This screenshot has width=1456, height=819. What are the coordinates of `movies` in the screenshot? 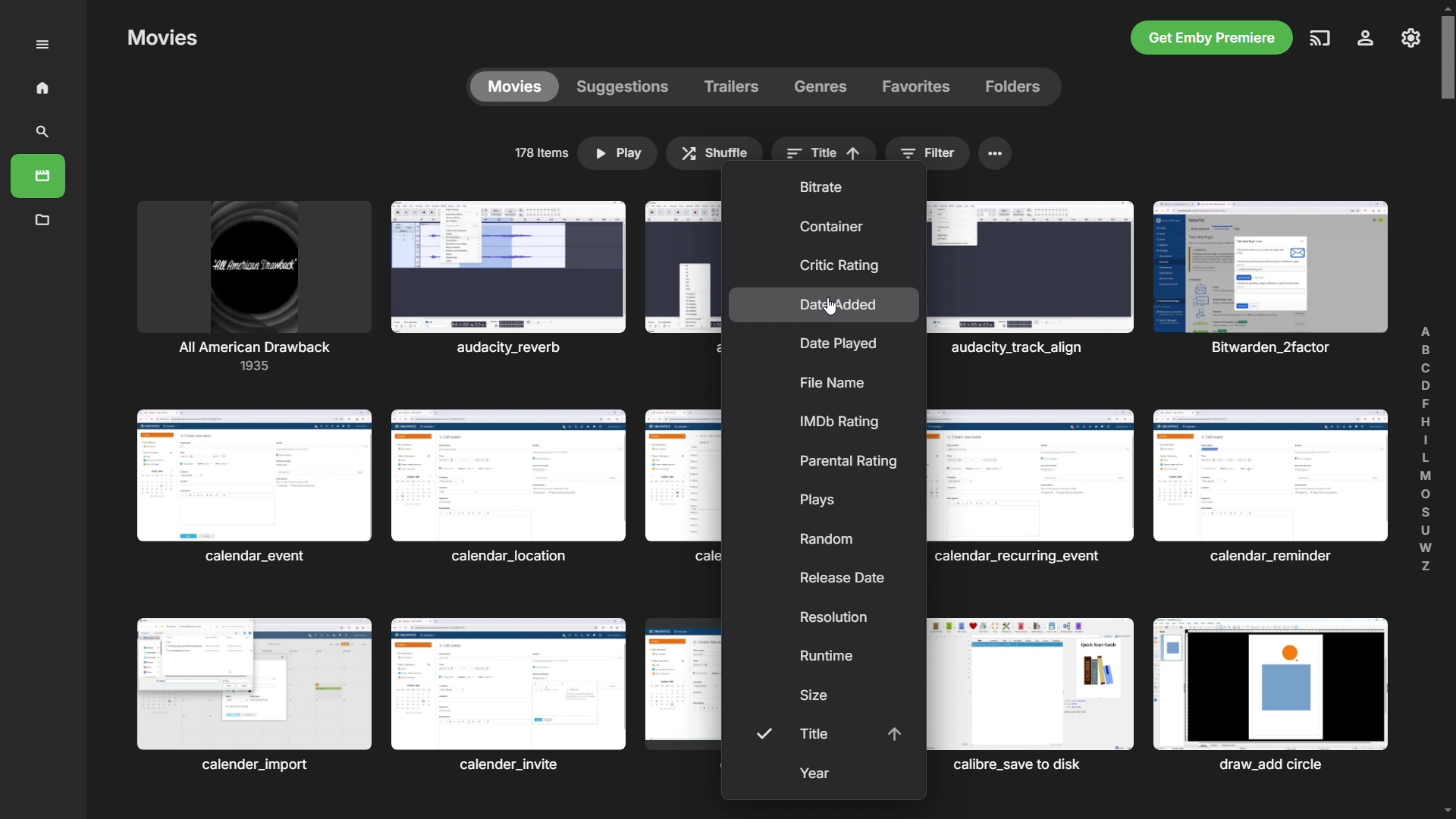 It's located at (252, 287).